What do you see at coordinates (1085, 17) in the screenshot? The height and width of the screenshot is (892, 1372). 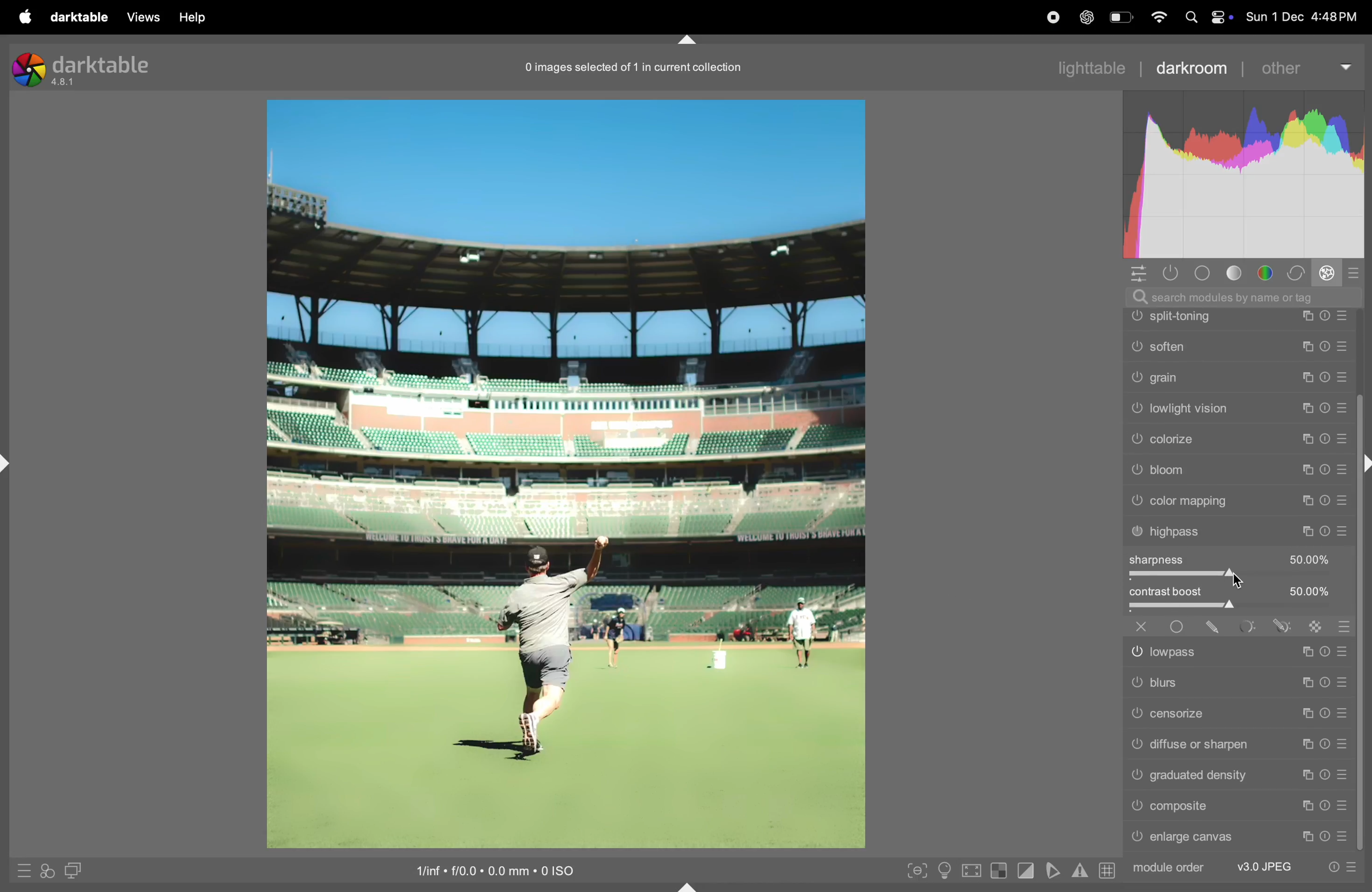 I see `cahtgpt` at bounding box center [1085, 17].